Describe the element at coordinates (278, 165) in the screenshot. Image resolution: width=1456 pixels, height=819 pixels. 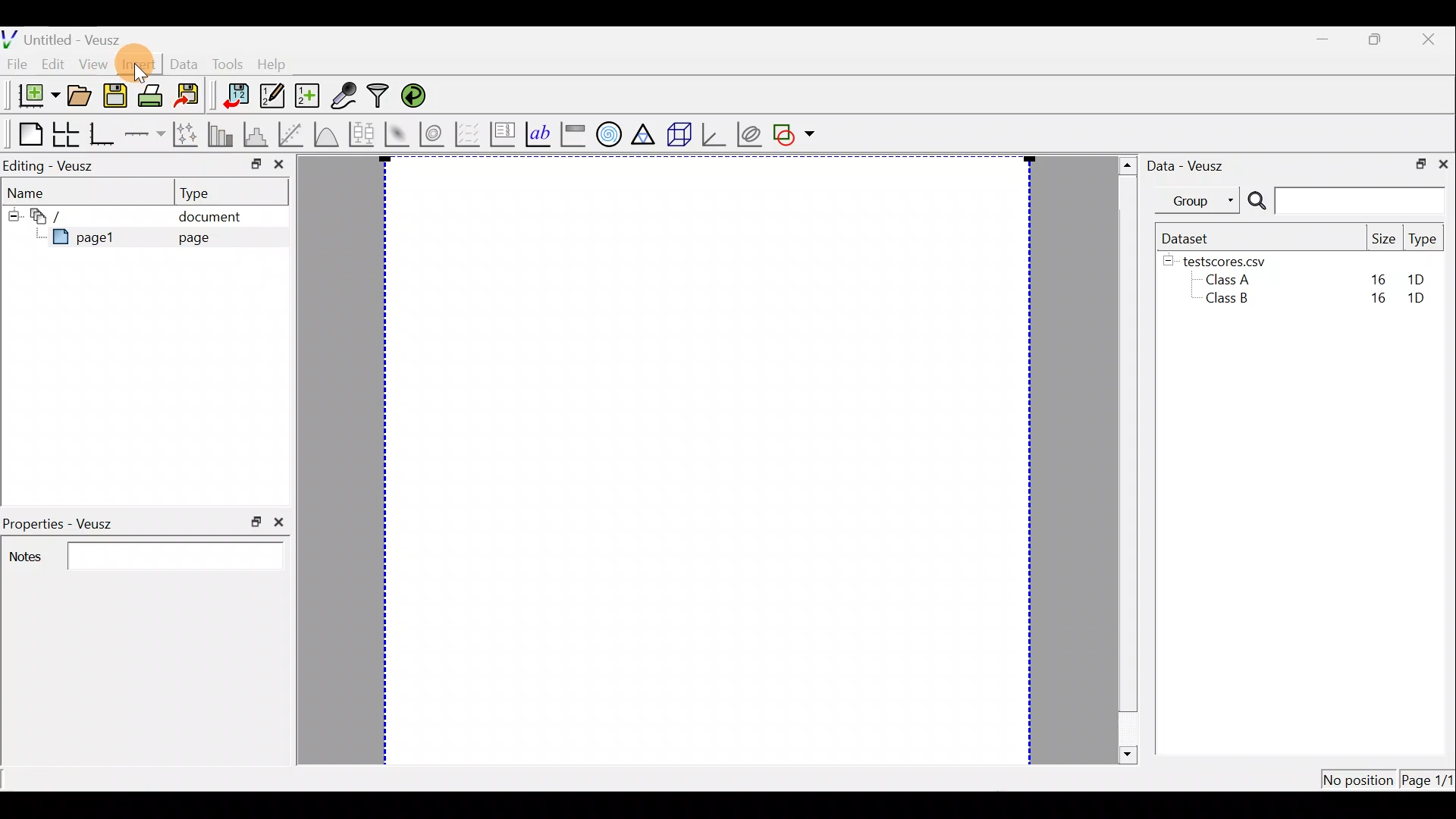
I see `close` at that location.